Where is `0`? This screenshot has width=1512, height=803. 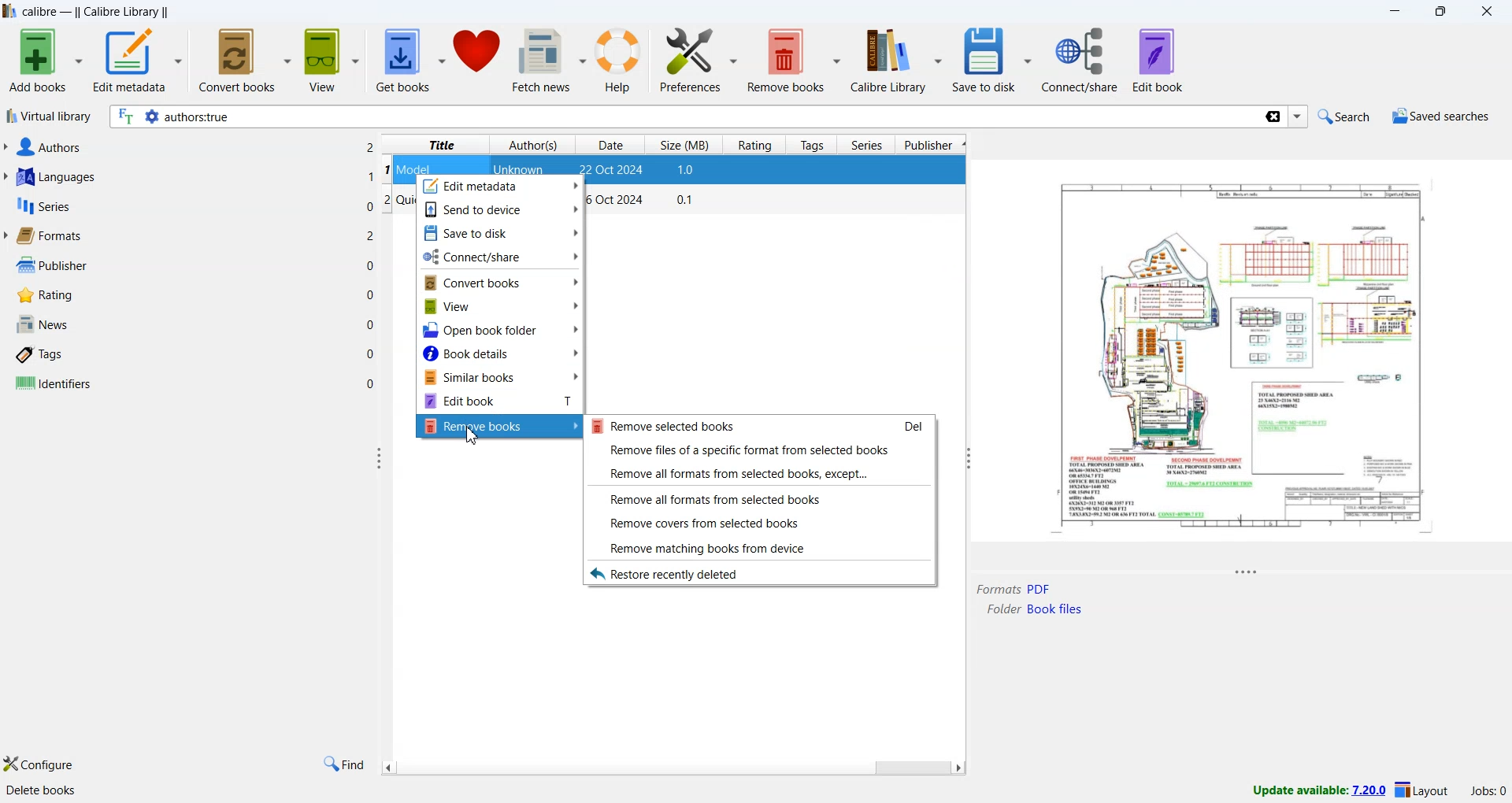 0 is located at coordinates (371, 383).